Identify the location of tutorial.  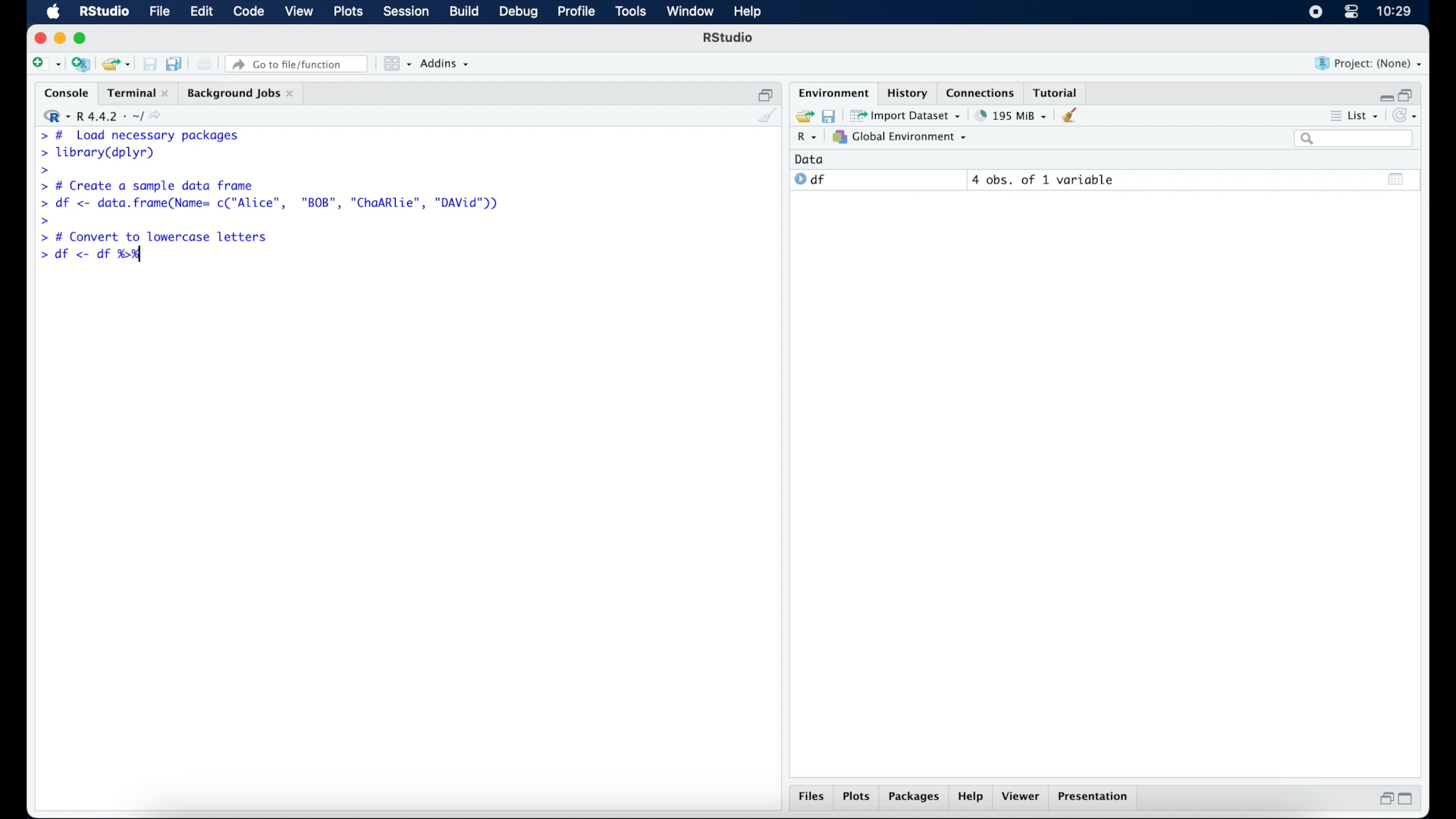
(1059, 92).